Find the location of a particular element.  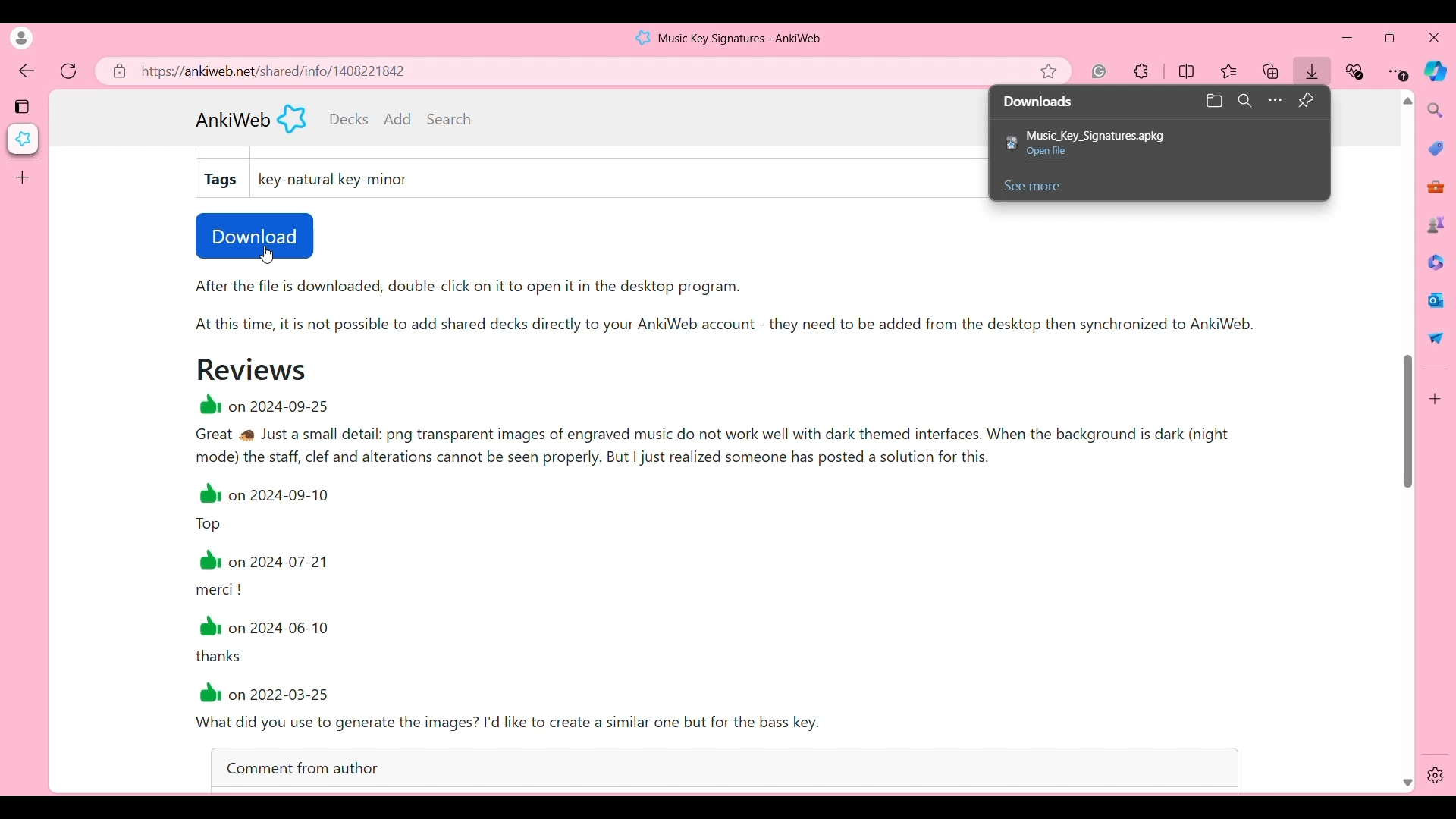

Browser messaging software is located at coordinates (1436, 300).